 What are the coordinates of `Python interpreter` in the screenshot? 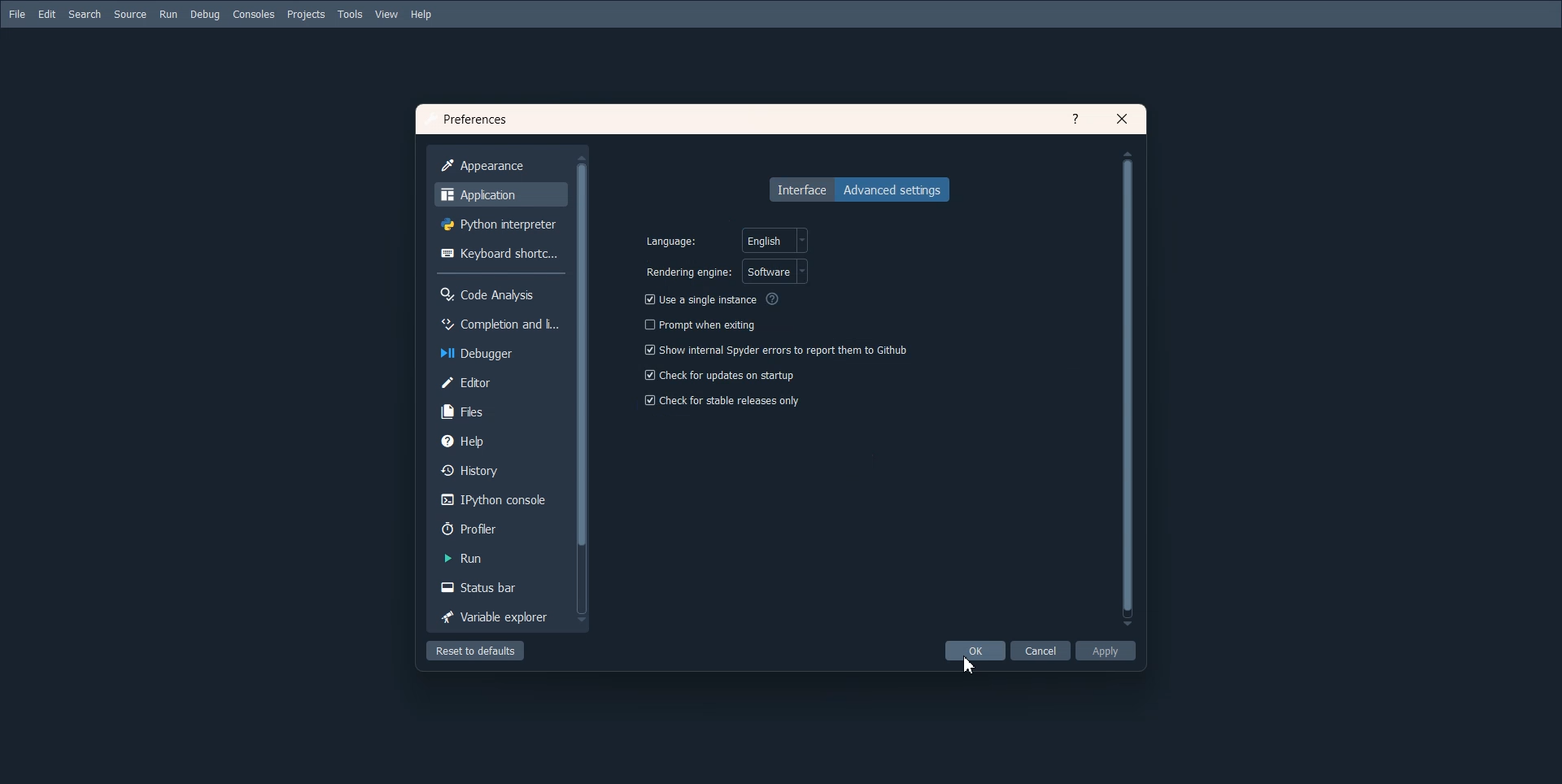 It's located at (499, 224).